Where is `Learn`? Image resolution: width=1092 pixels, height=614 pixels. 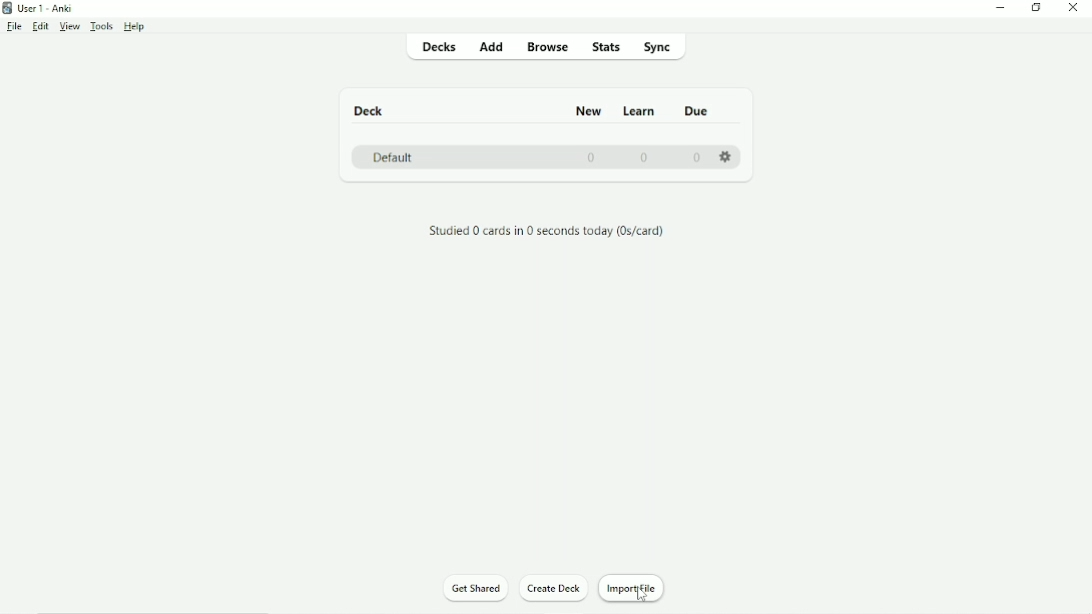
Learn is located at coordinates (641, 111).